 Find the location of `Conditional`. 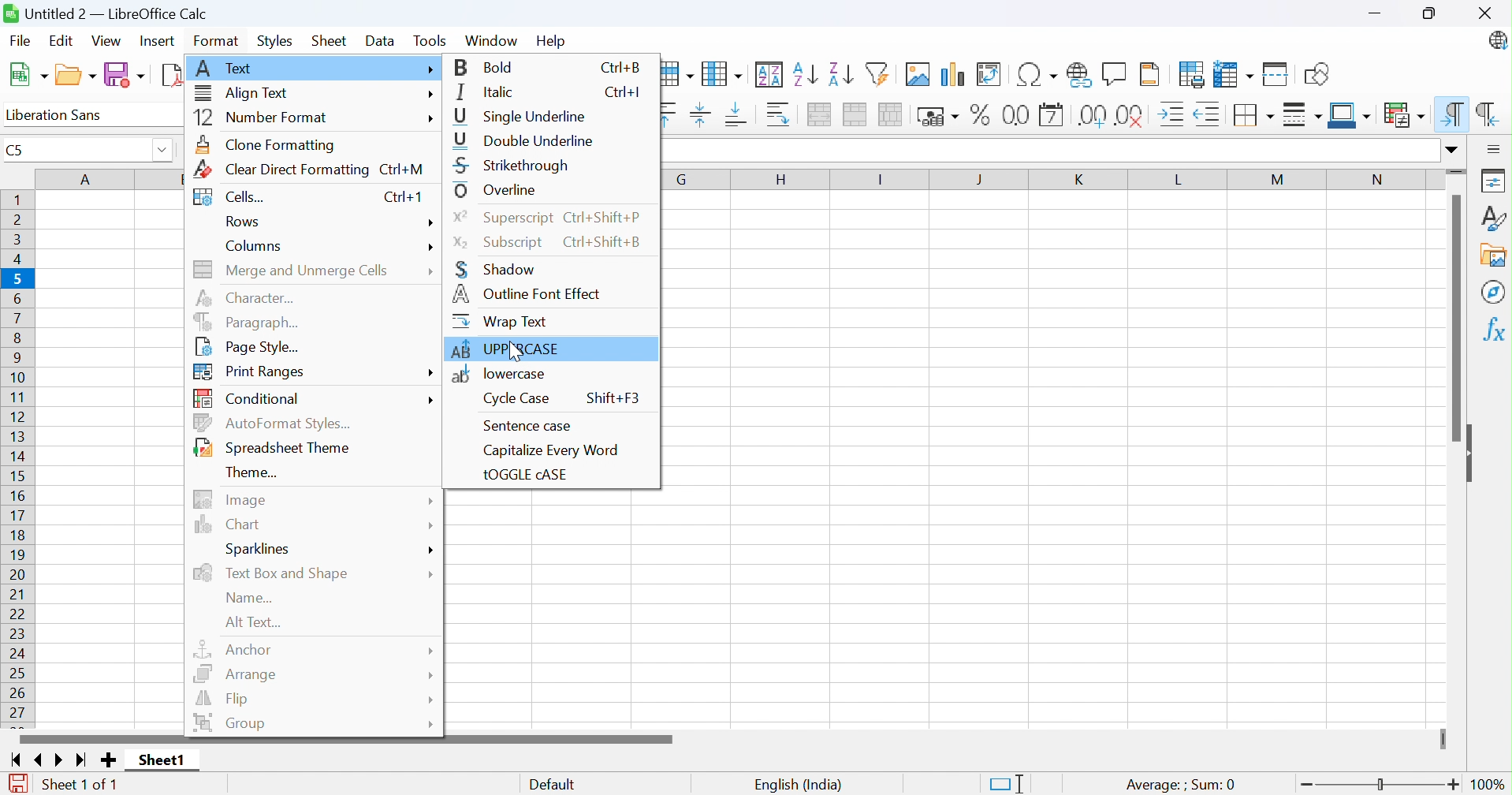

Conditional is located at coordinates (1406, 115).